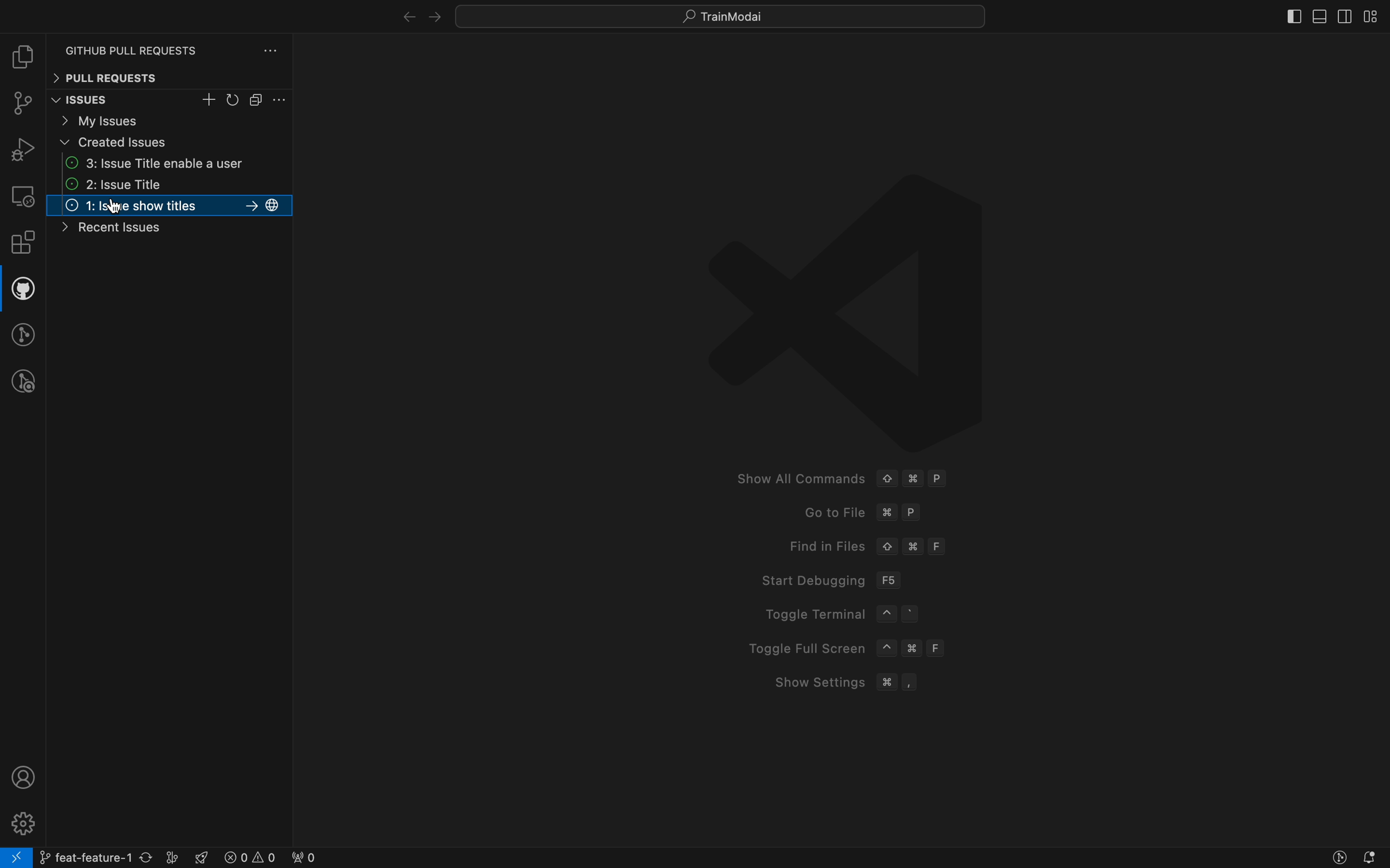 This screenshot has height=868, width=1390. Describe the element at coordinates (257, 100) in the screenshot. I see `select bar` at that location.